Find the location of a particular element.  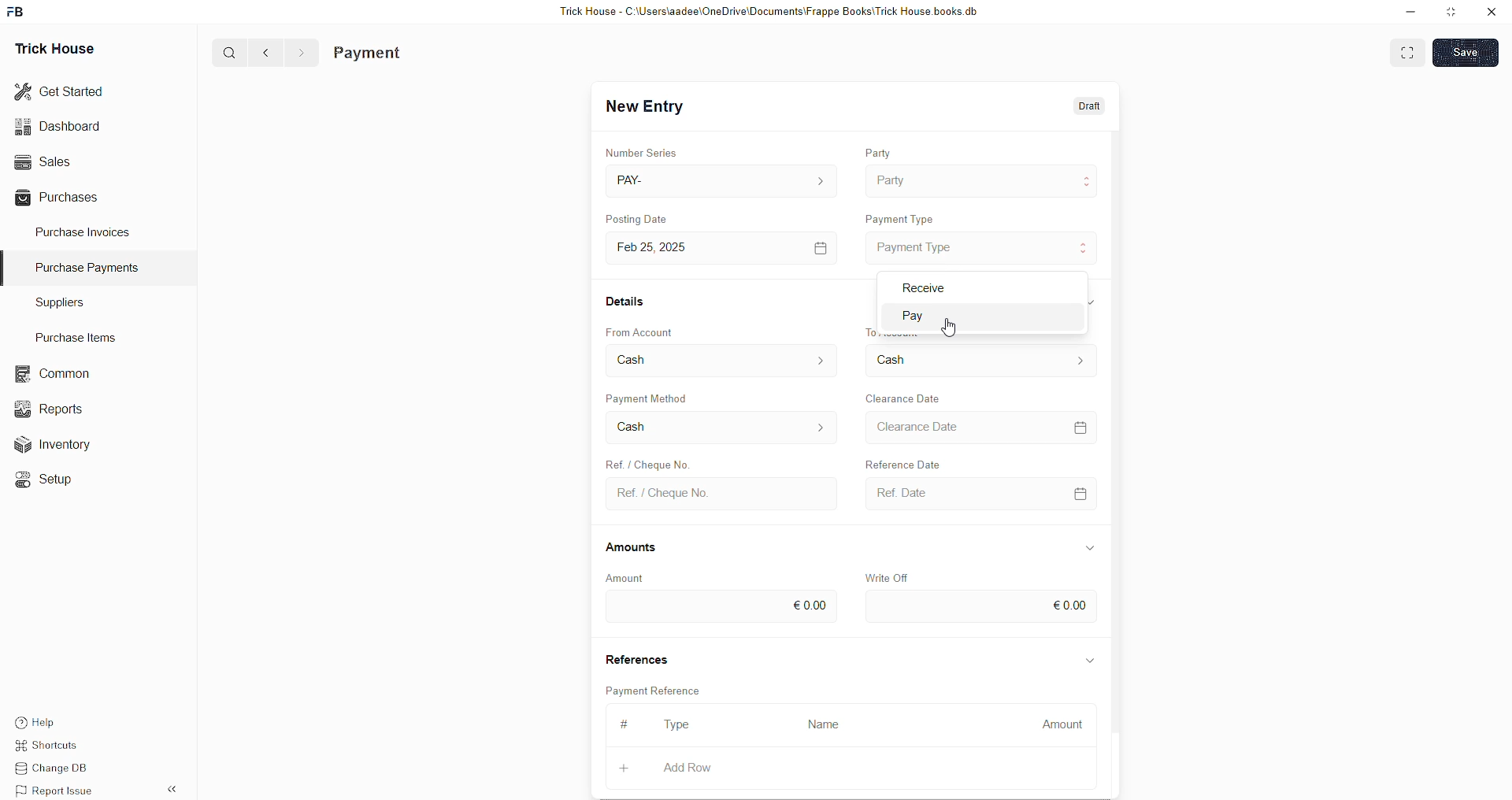

CALENDER is located at coordinates (1080, 492).